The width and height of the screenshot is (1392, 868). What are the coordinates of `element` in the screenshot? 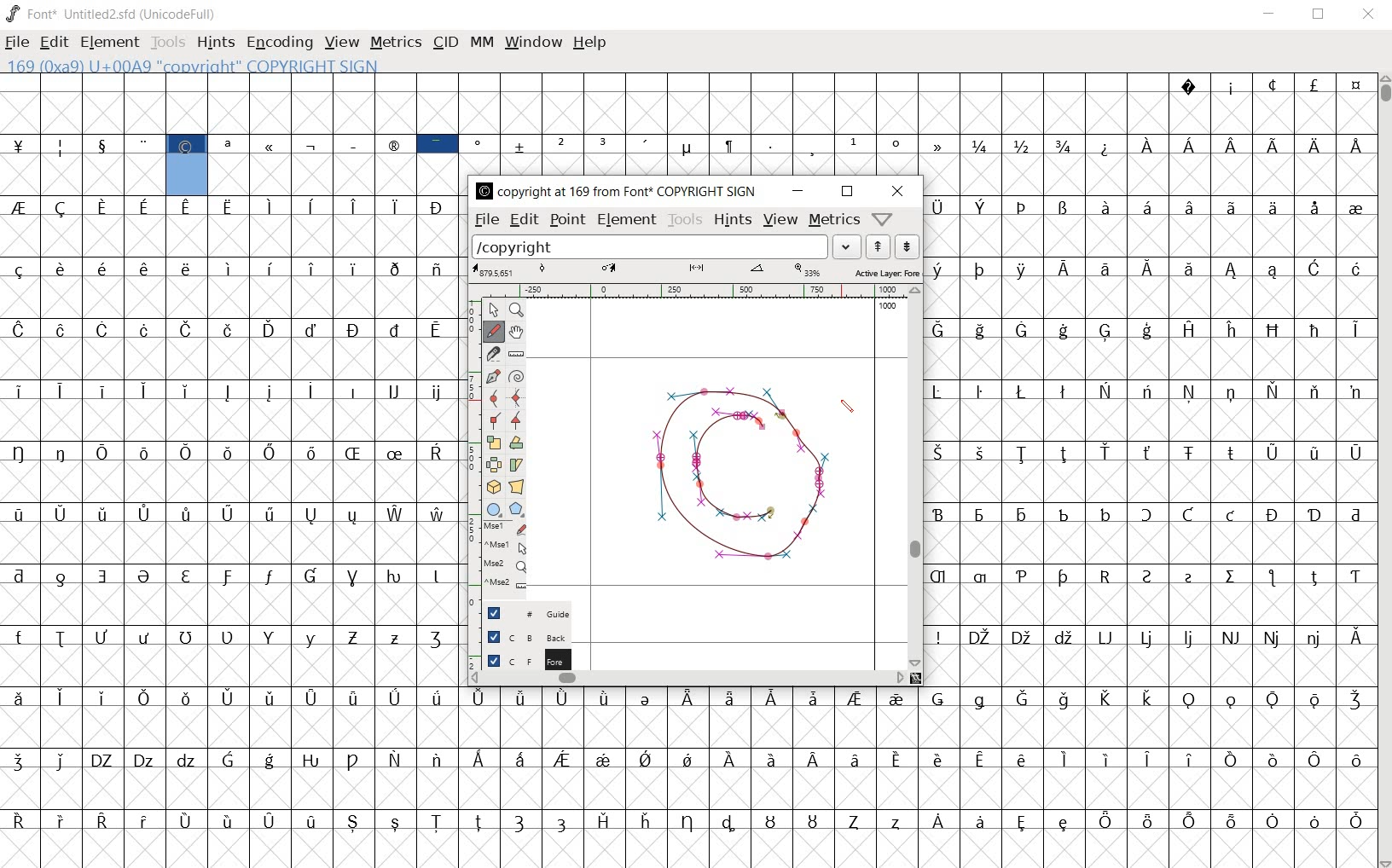 It's located at (109, 42).